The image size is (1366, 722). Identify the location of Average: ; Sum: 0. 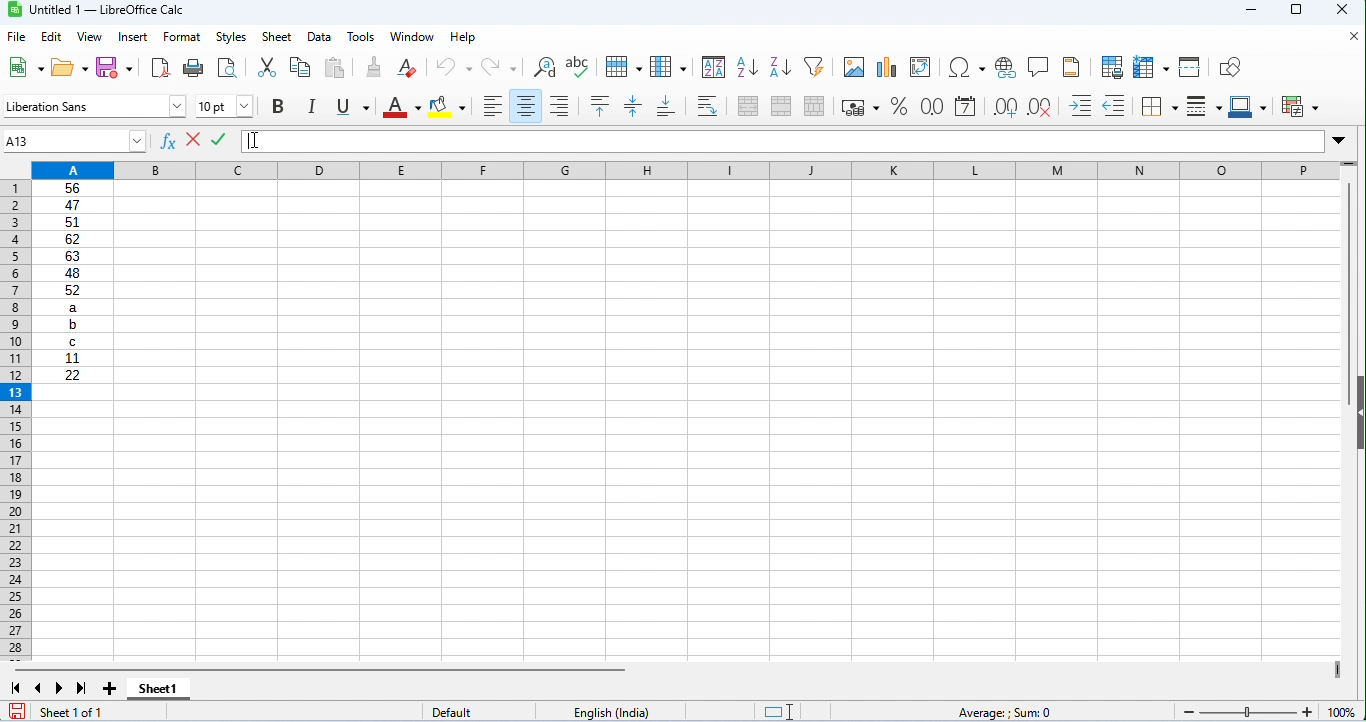
(1002, 712).